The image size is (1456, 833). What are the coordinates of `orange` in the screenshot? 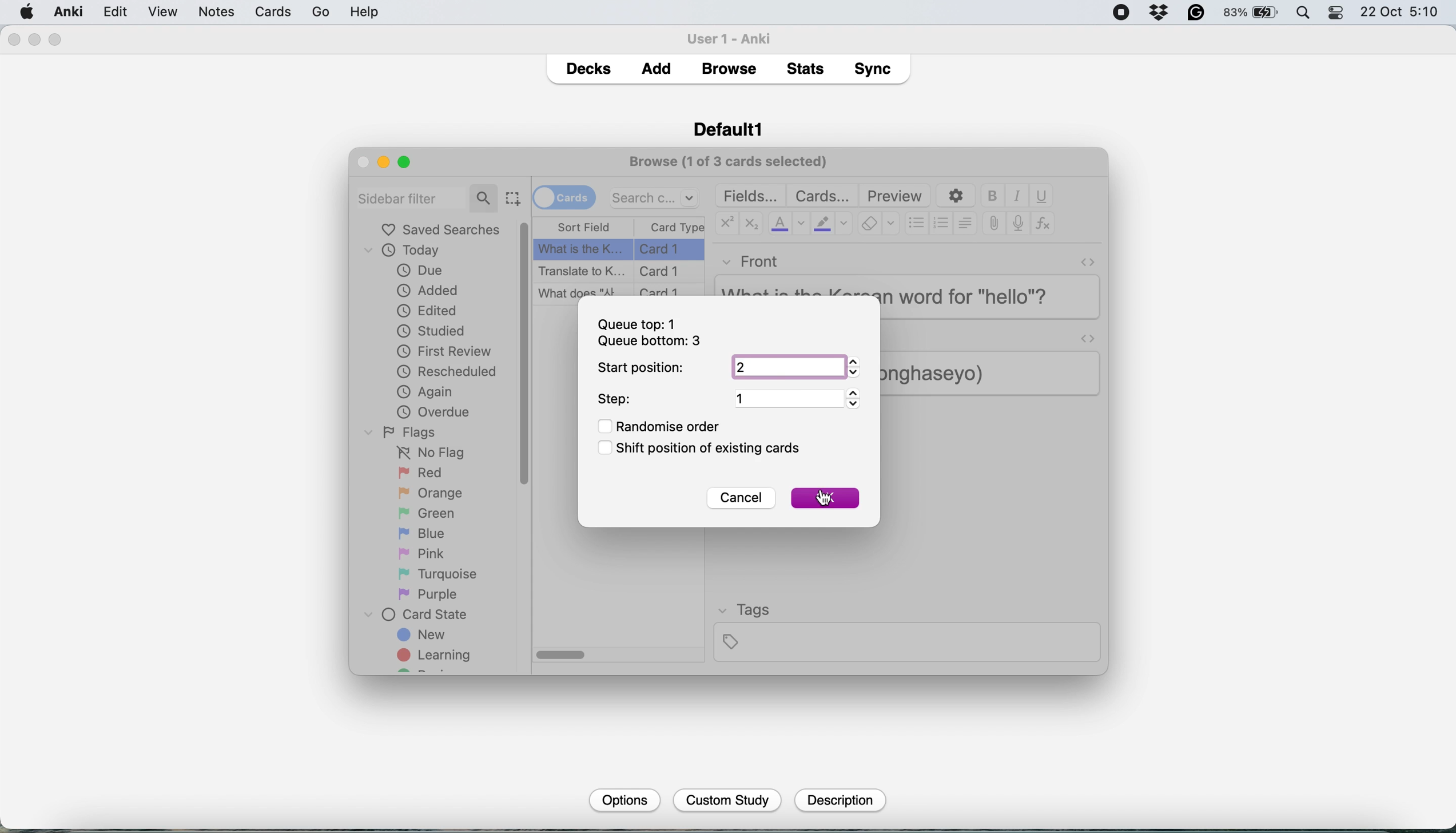 It's located at (430, 493).